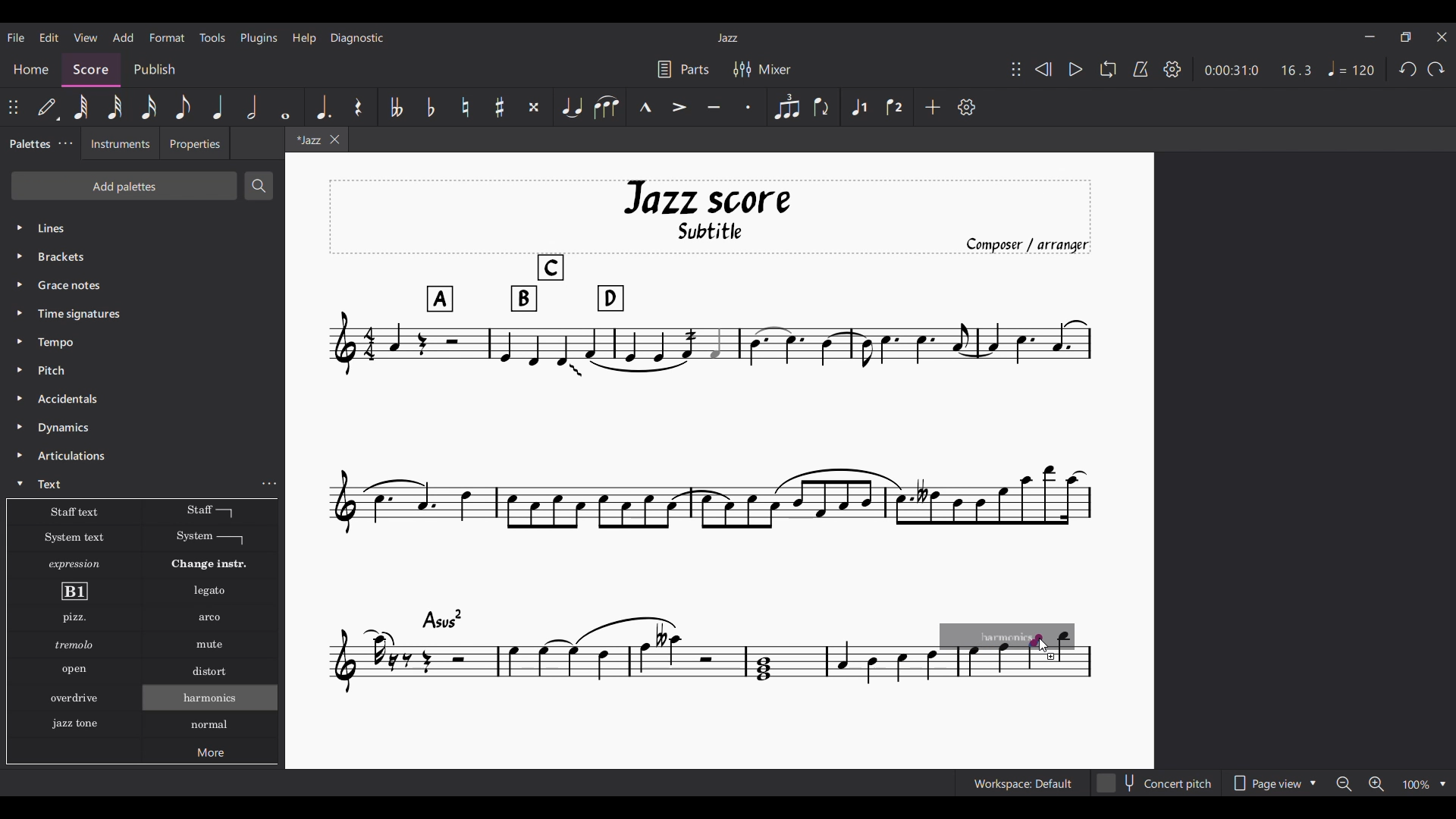  I want to click on More, so click(213, 755).